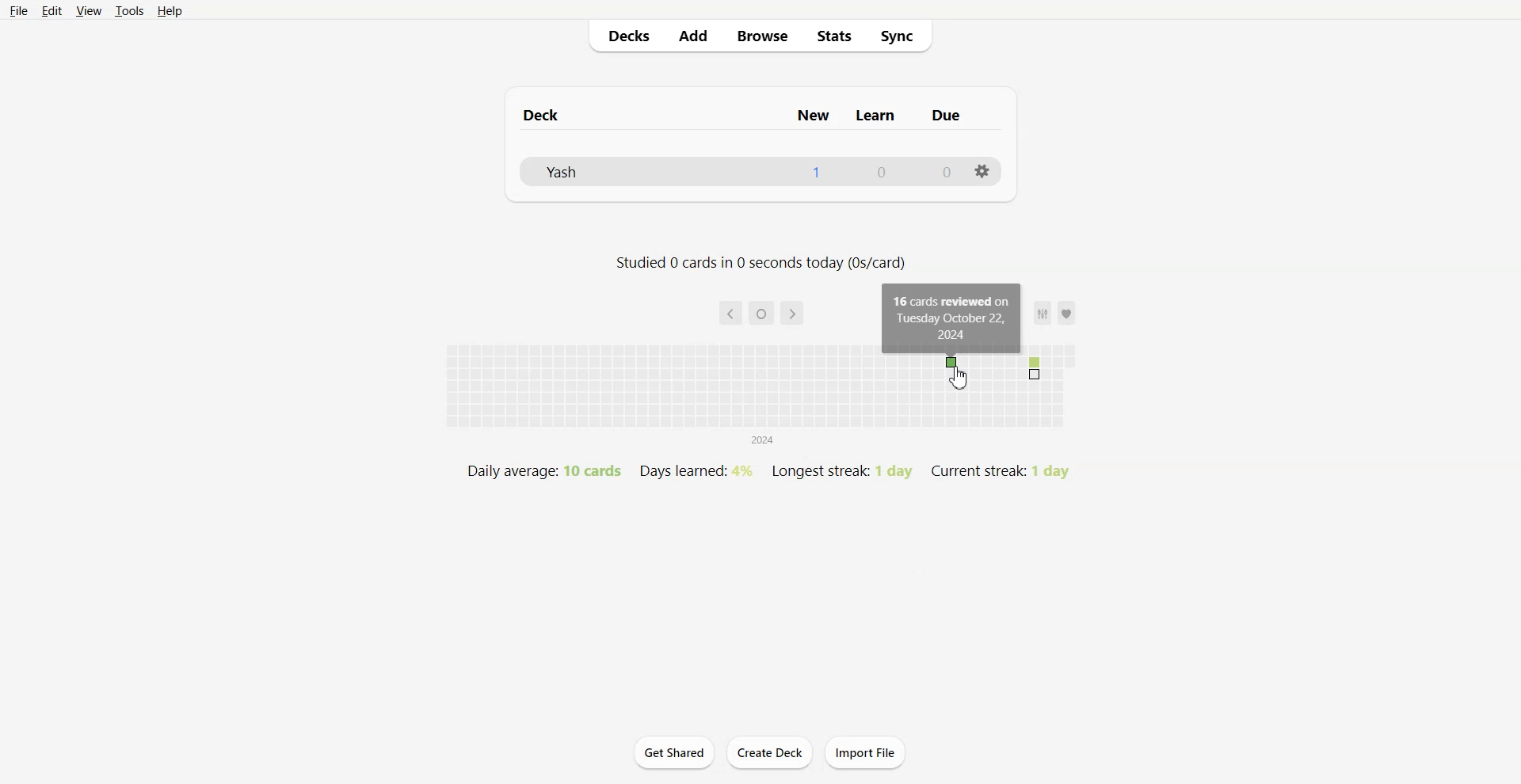 This screenshot has width=1521, height=784. I want to click on Add, so click(694, 36).